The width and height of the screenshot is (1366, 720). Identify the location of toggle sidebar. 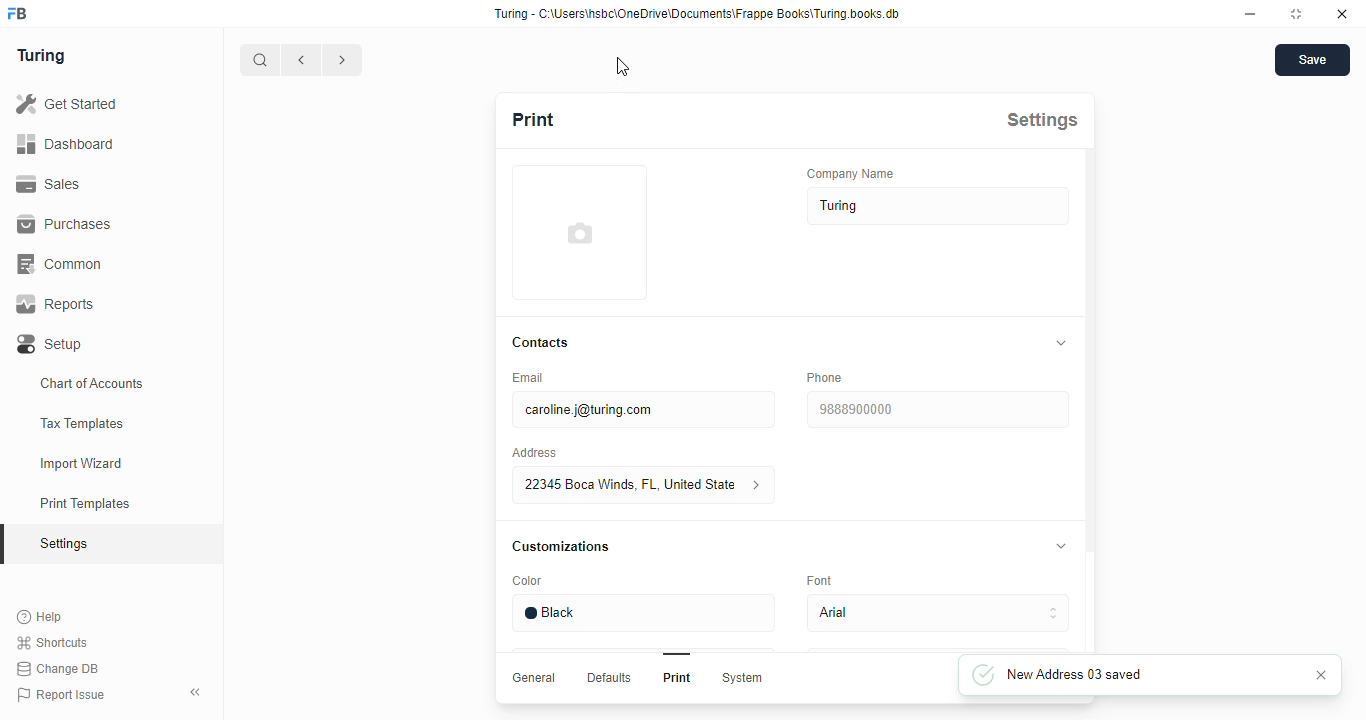
(198, 691).